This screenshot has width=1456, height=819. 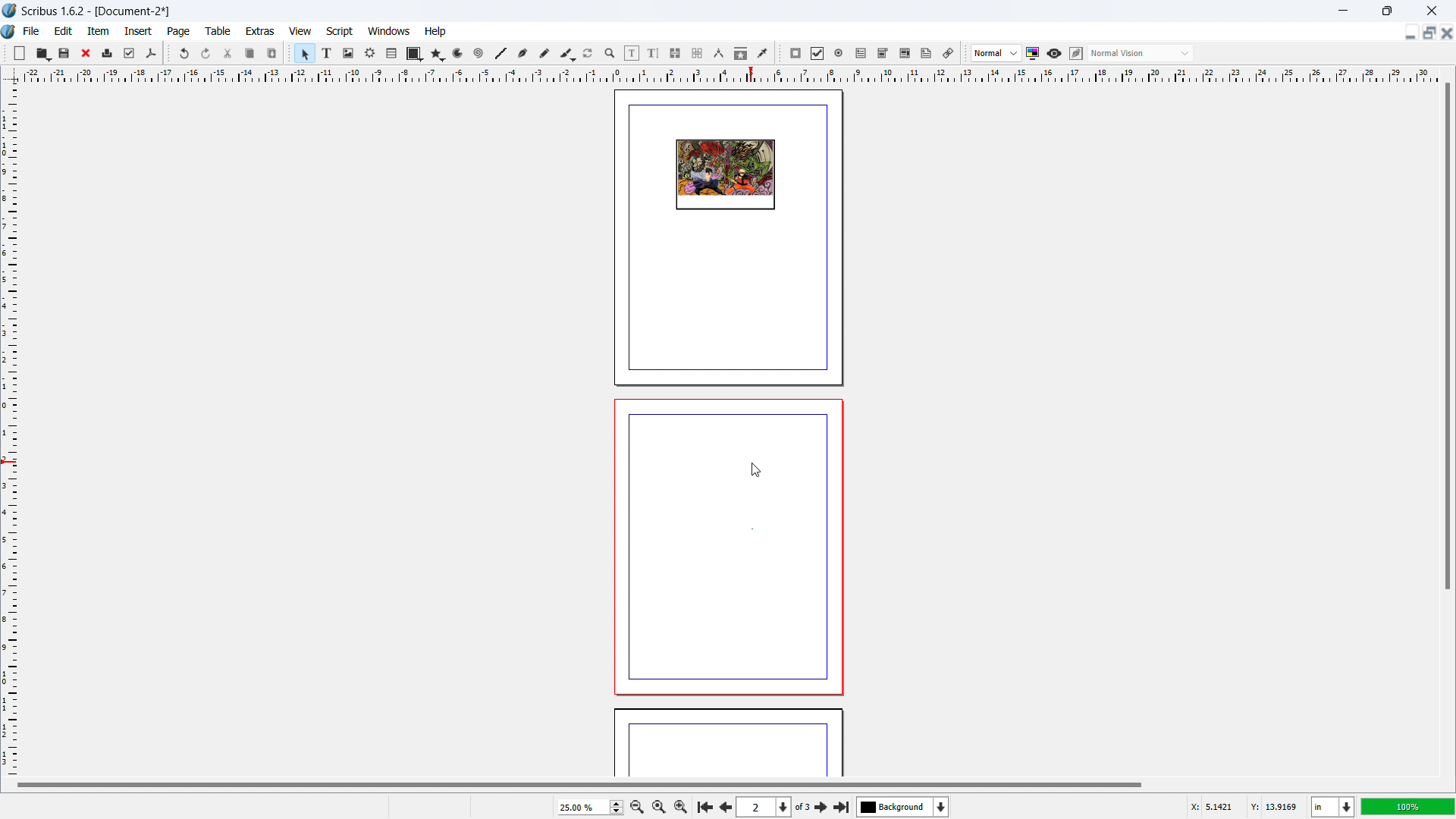 What do you see at coordinates (725, 175) in the screenshot?
I see `page design` at bounding box center [725, 175].